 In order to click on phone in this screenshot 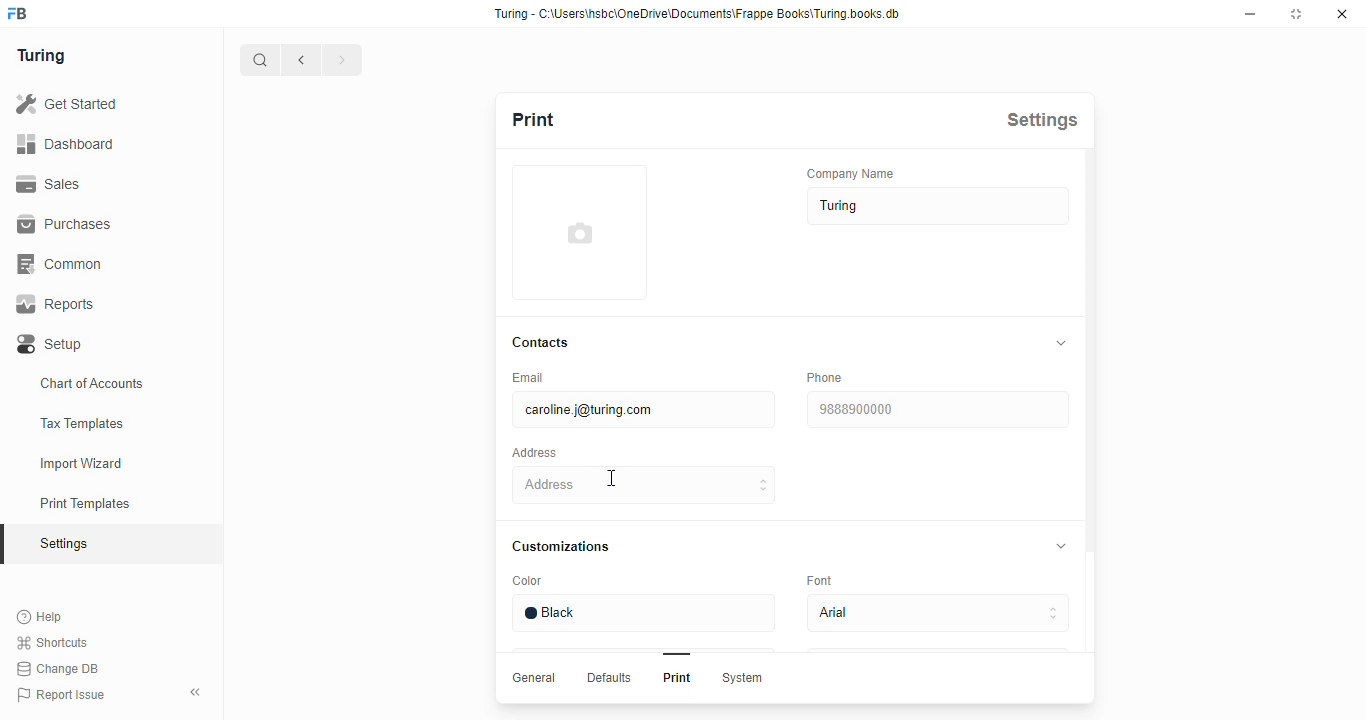, I will do `click(826, 377)`.